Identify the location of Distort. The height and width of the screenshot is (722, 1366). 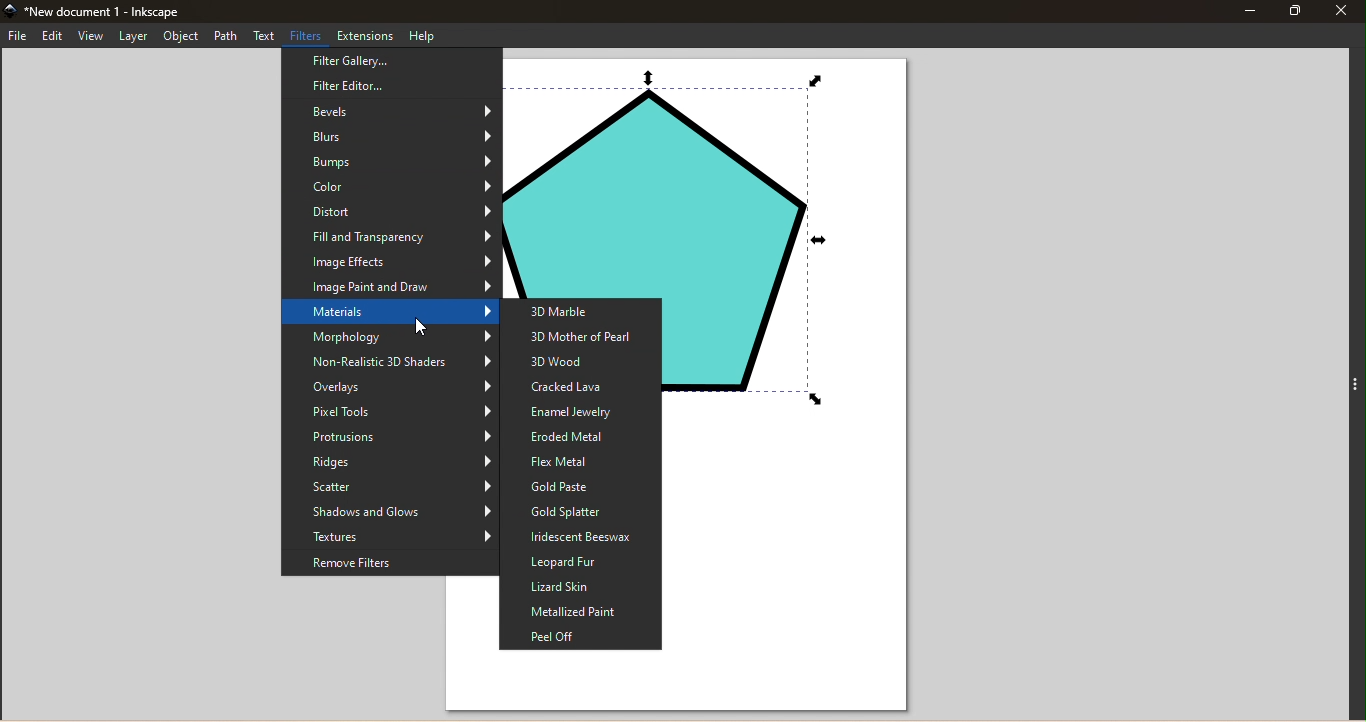
(389, 212).